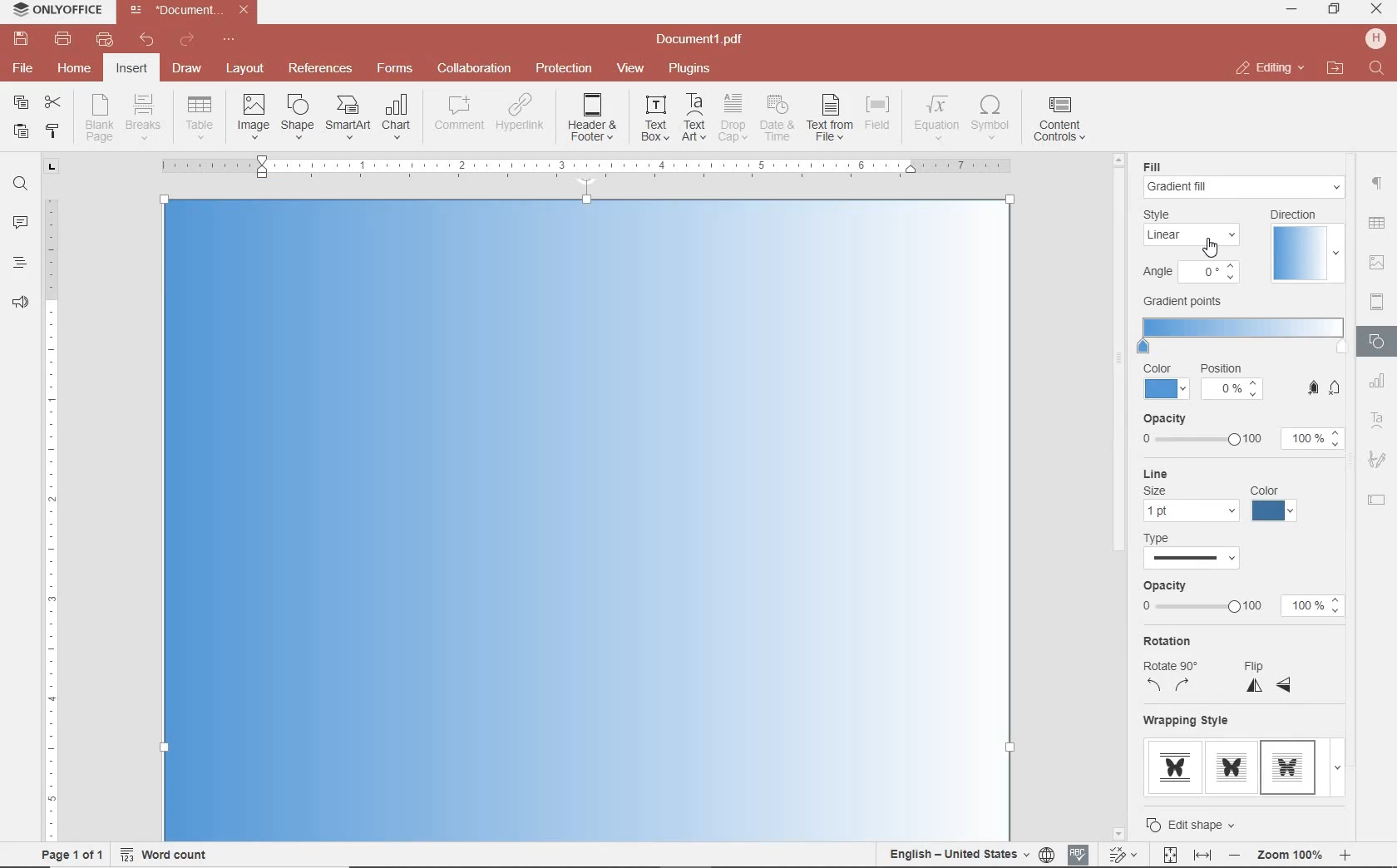 Image resolution: width=1397 pixels, height=868 pixels. Describe the element at coordinates (1269, 68) in the screenshot. I see `close` at that location.